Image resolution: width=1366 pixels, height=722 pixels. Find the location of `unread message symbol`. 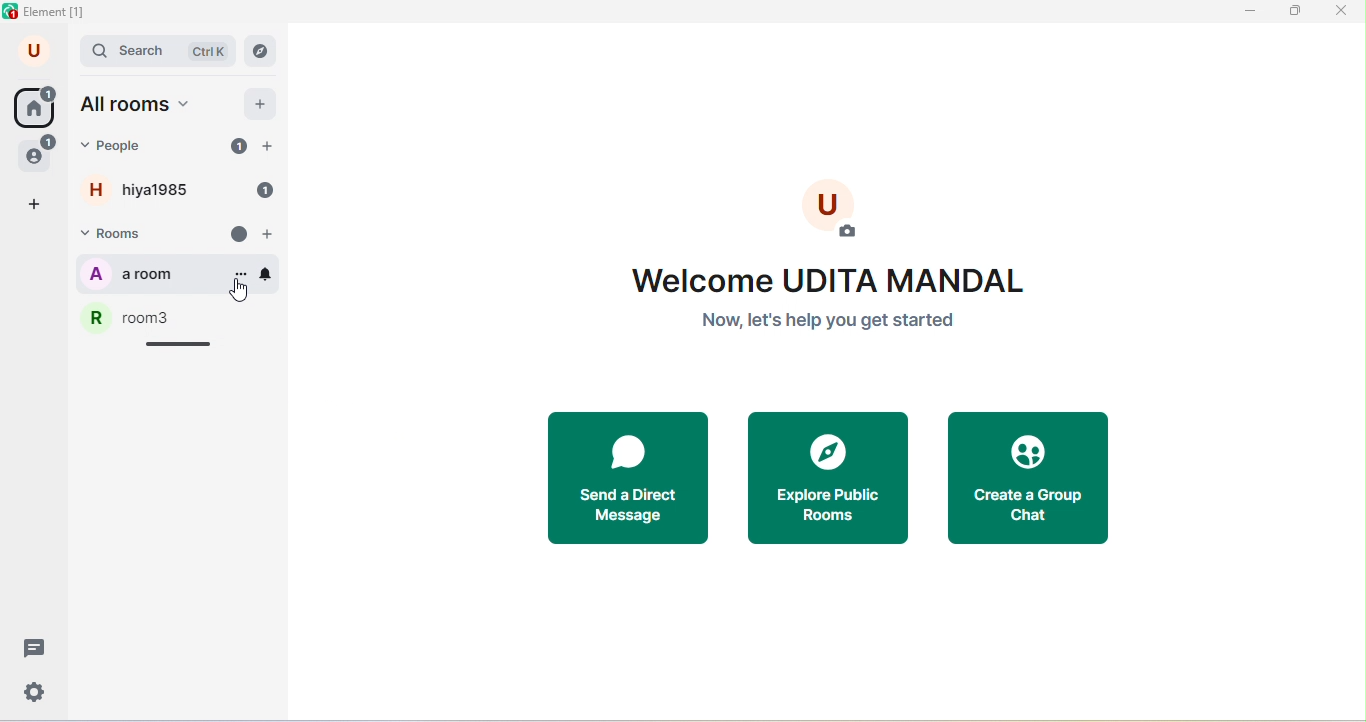

unread message symbol is located at coordinates (240, 235).